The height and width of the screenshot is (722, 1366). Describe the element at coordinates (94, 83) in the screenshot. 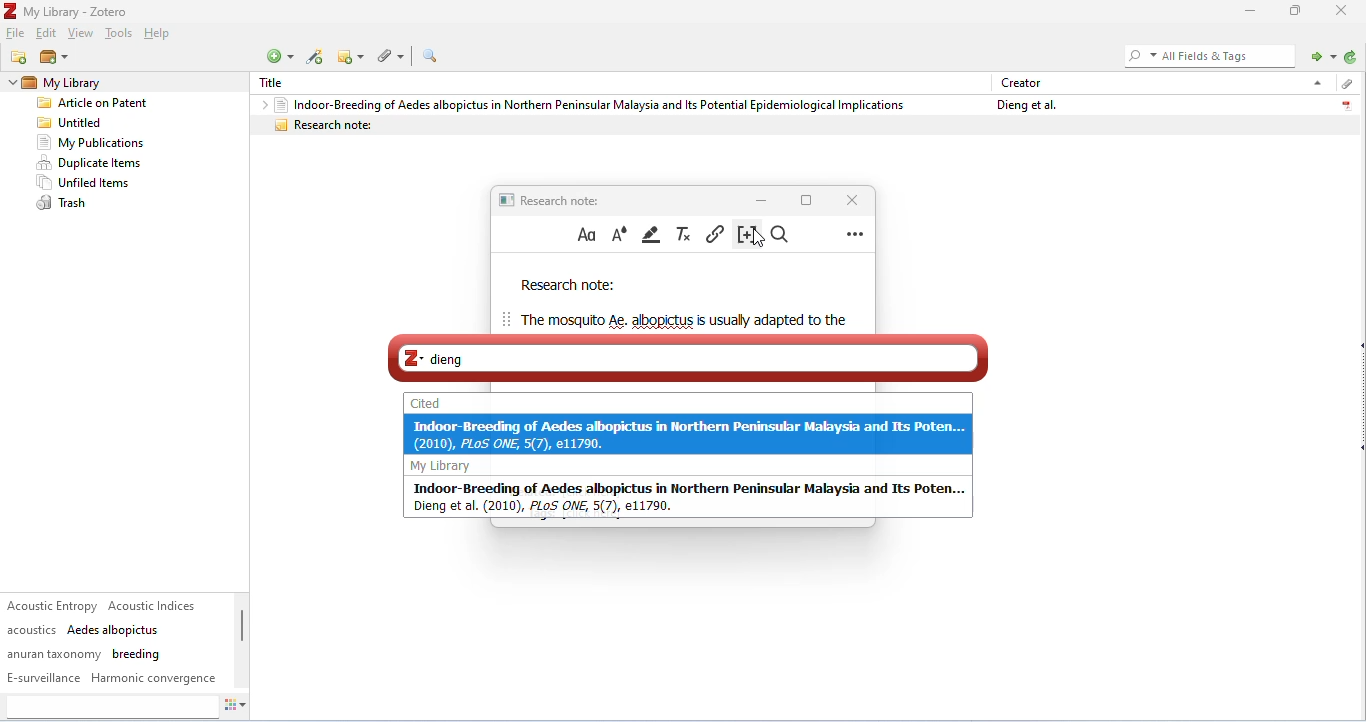

I see `my library` at that location.